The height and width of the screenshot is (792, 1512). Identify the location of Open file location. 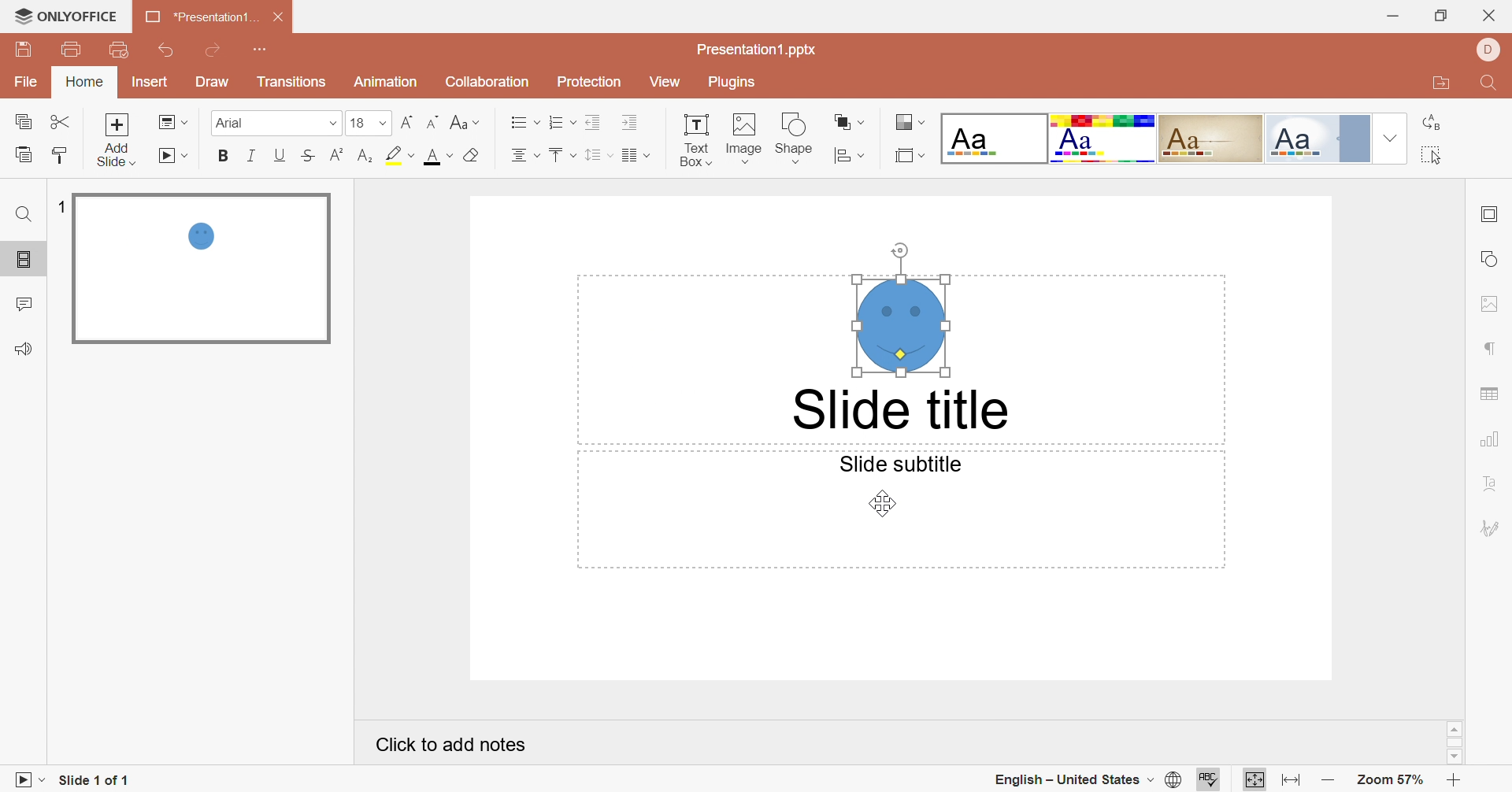
(1437, 85).